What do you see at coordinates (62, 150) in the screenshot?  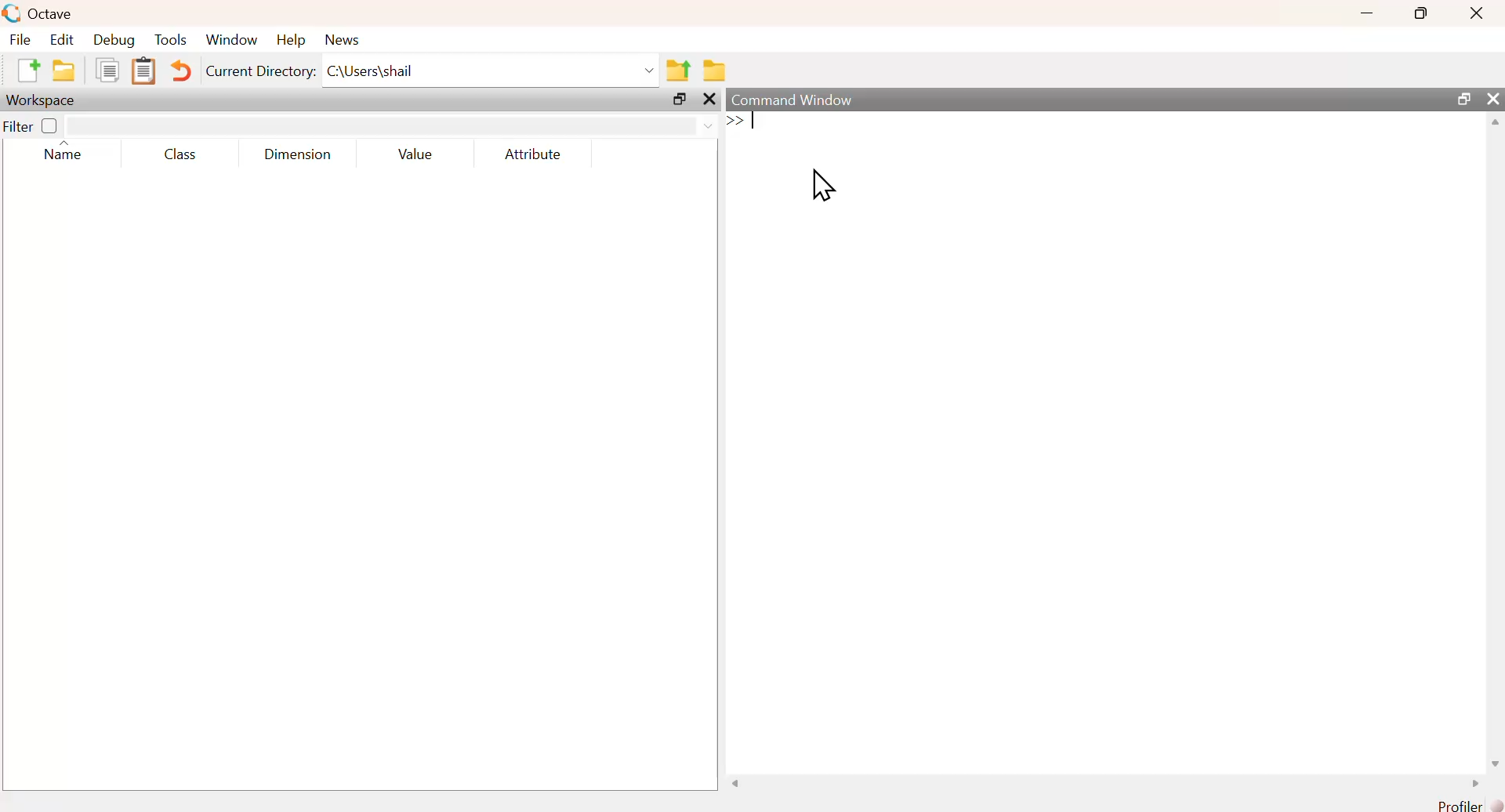 I see `Name` at bounding box center [62, 150].